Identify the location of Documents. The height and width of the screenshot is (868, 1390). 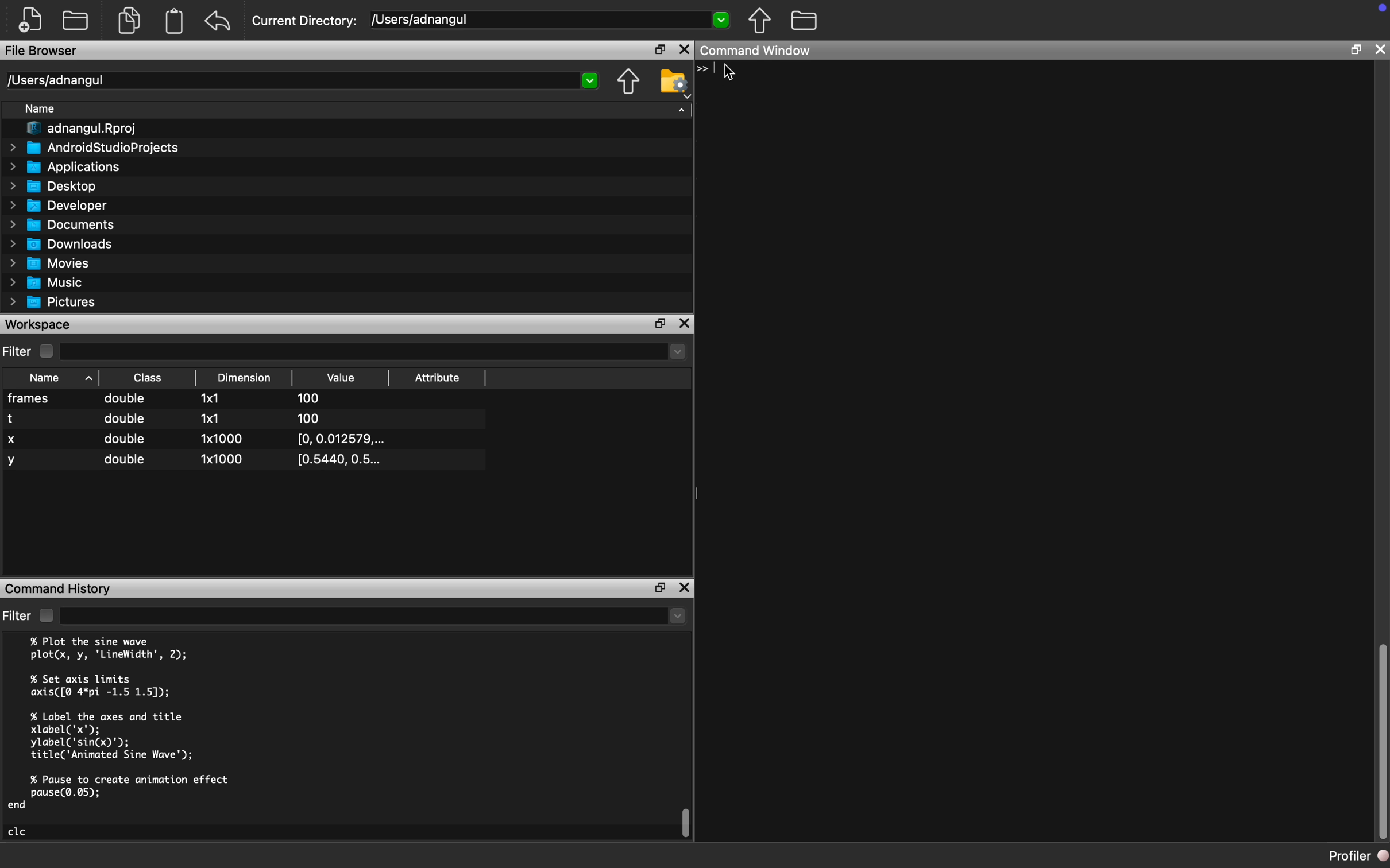
(61, 225).